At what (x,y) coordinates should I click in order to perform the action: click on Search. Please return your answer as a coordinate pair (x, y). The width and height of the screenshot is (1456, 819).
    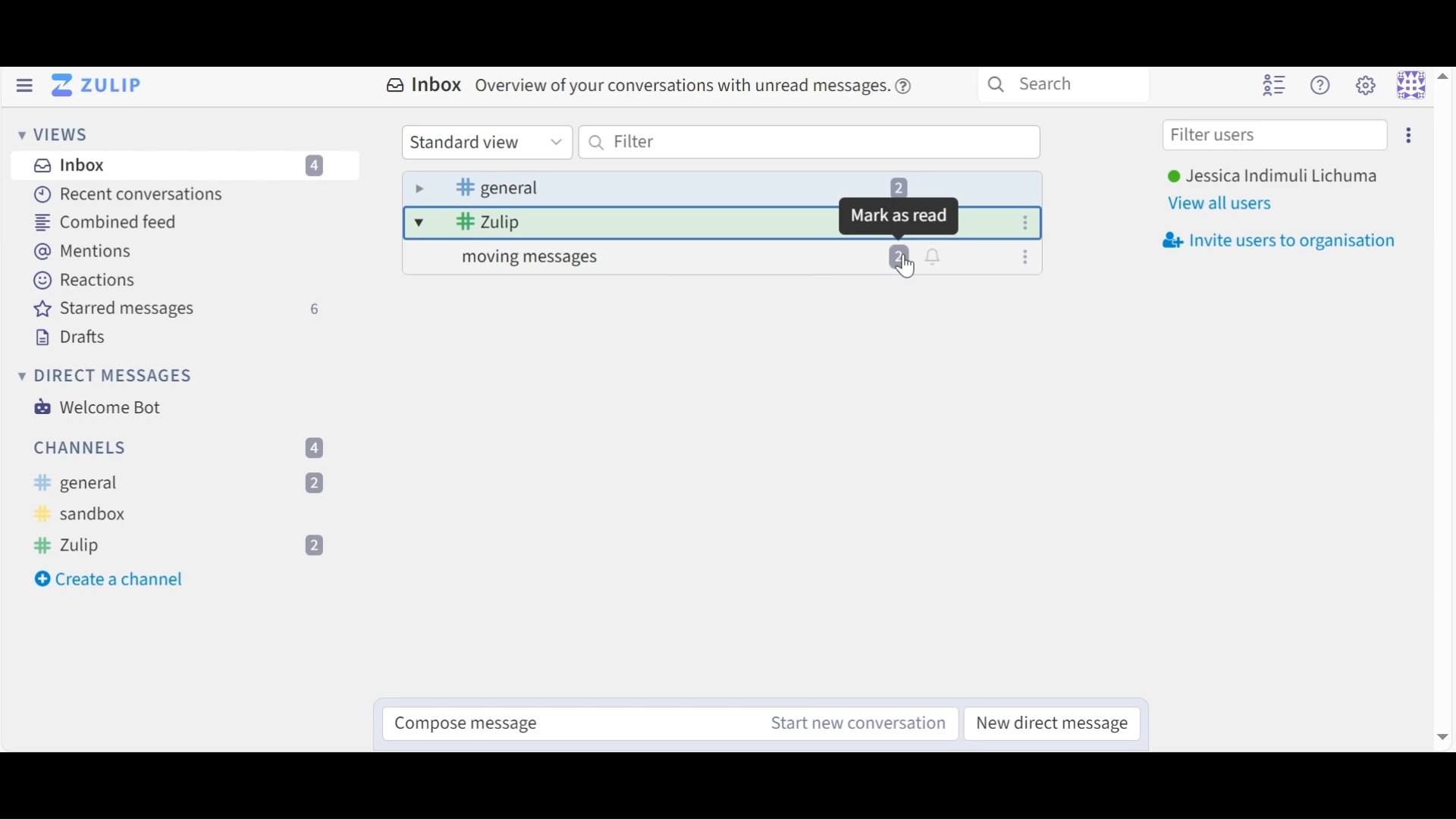
    Looking at the image, I should click on (1063, 86).